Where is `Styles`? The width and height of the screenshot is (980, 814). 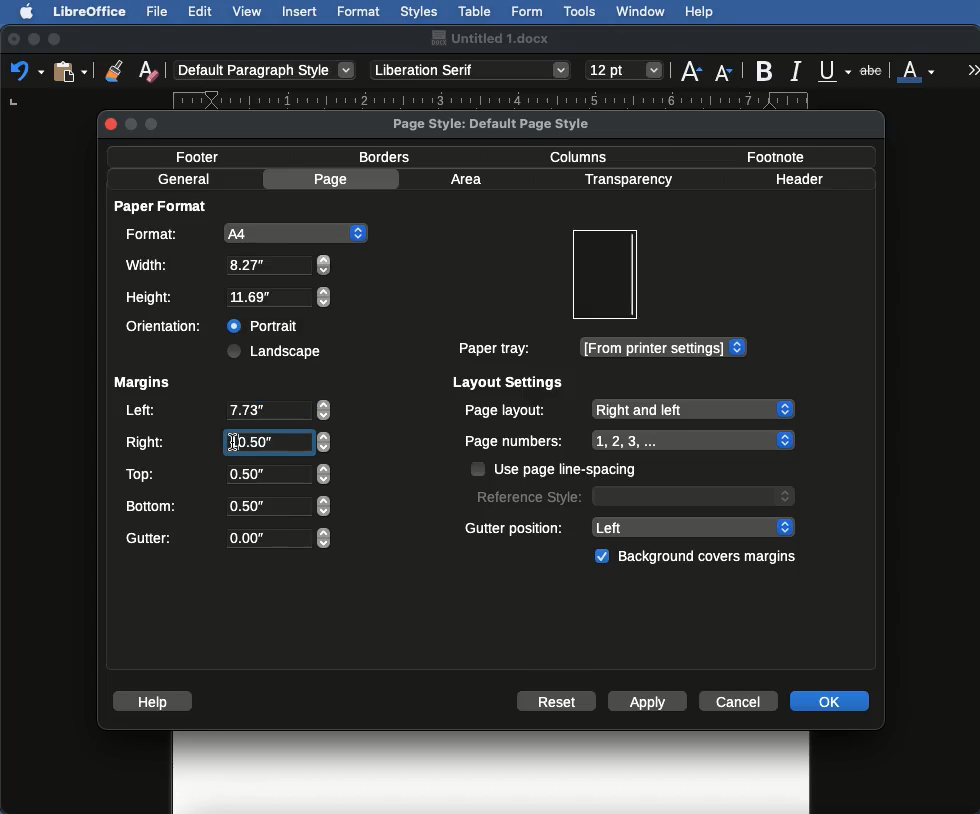
Styles is located at coordinates (418, 11).